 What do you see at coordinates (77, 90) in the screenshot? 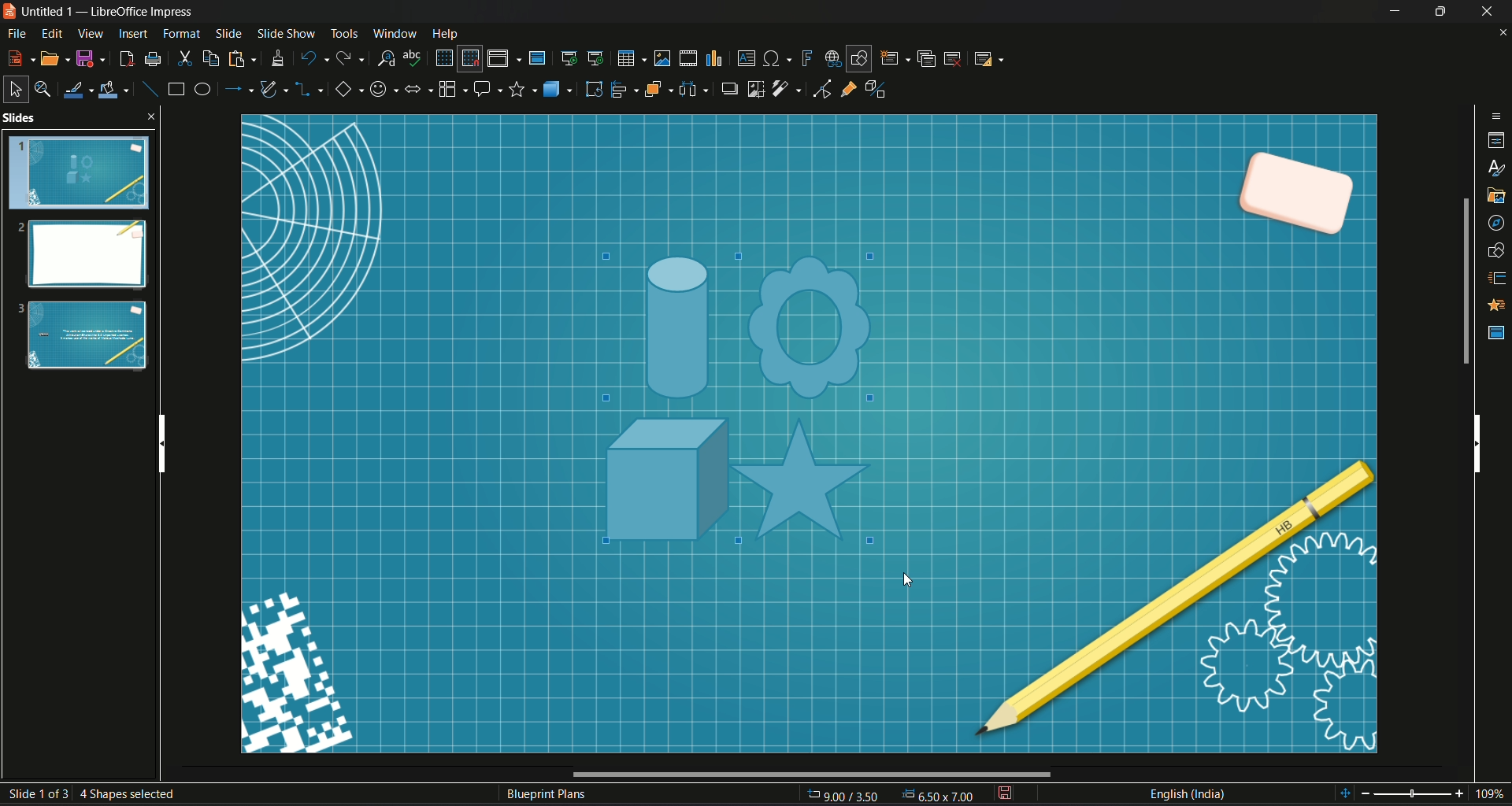
I see `line color` at bounding box center [77, 90].